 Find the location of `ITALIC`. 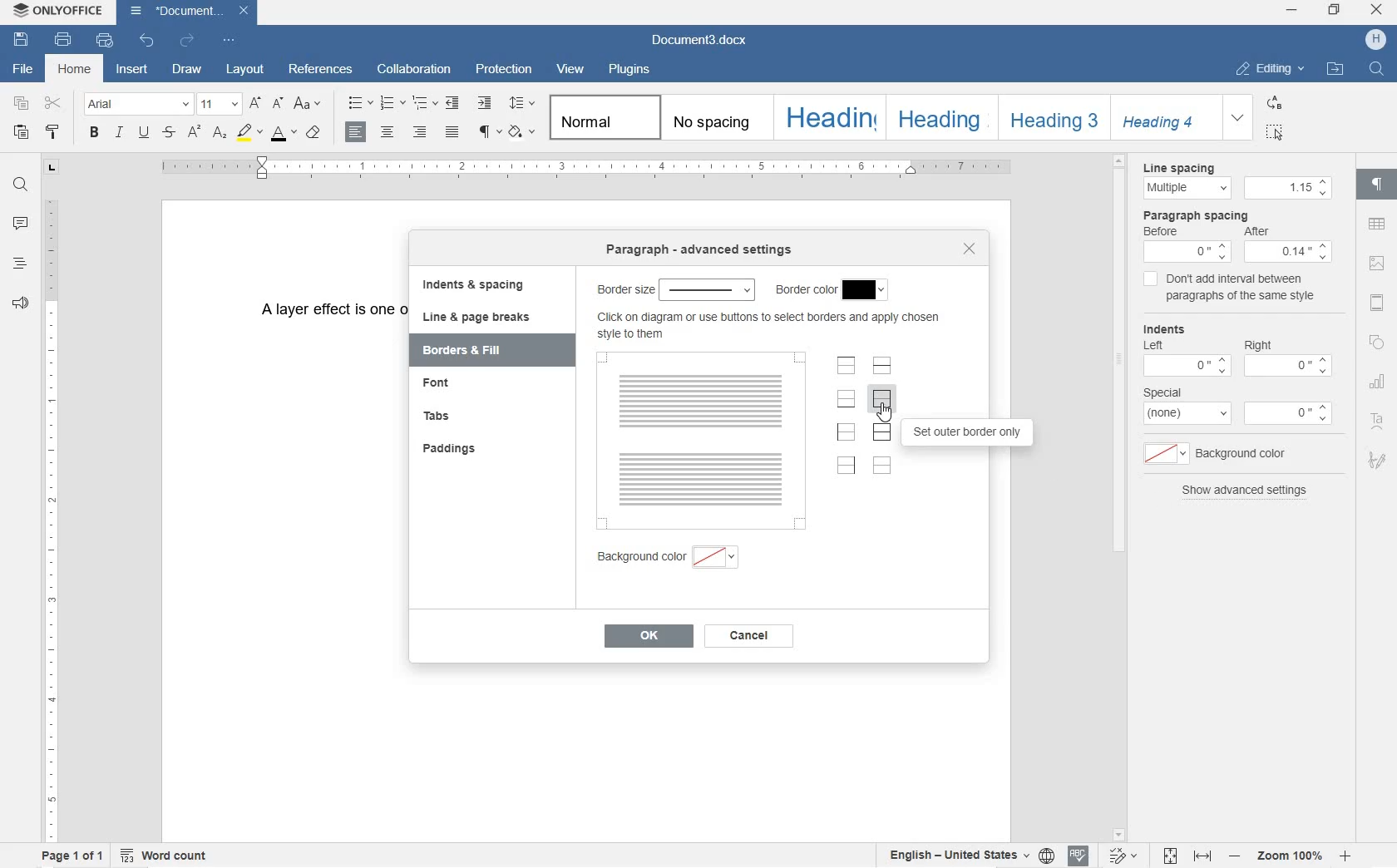

ITALIC is located at coordinates (119, 133).